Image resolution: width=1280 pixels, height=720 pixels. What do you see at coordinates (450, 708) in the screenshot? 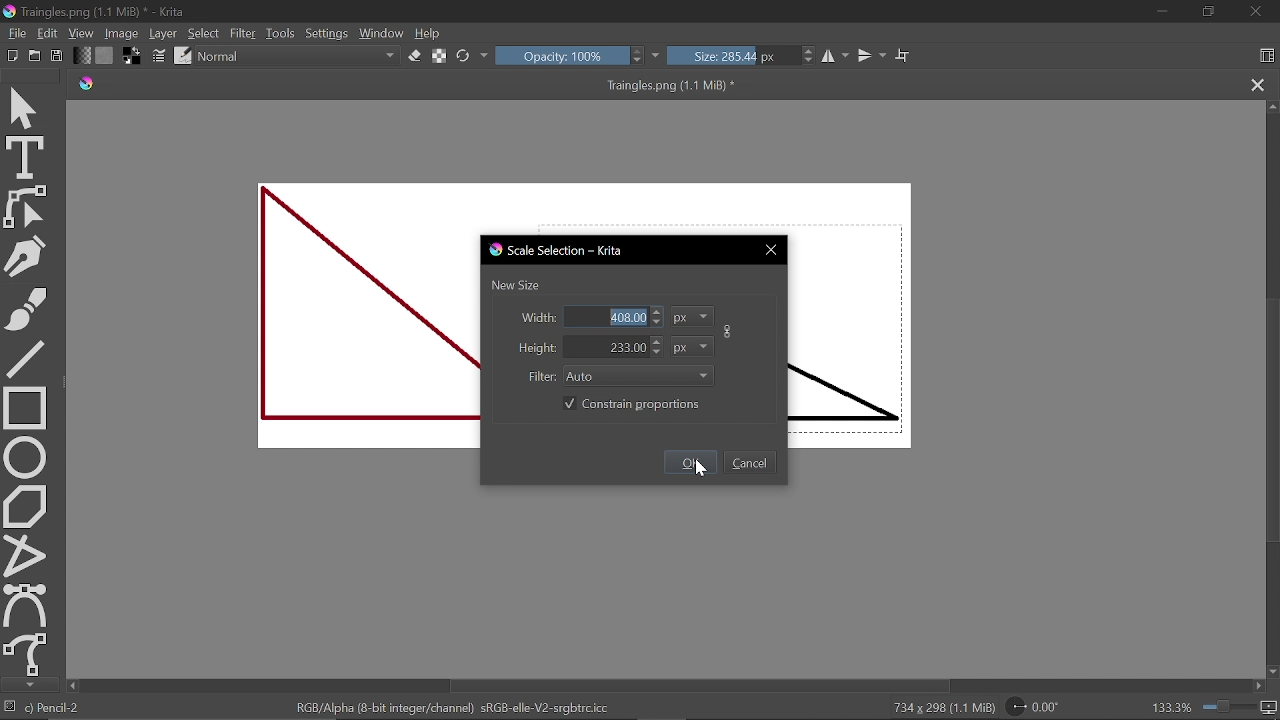
I see `RGB/Alpha (8-bit integer/channel) sRGB-elle-V2-srgbtrc.icc` at bounding box center [450, 708].